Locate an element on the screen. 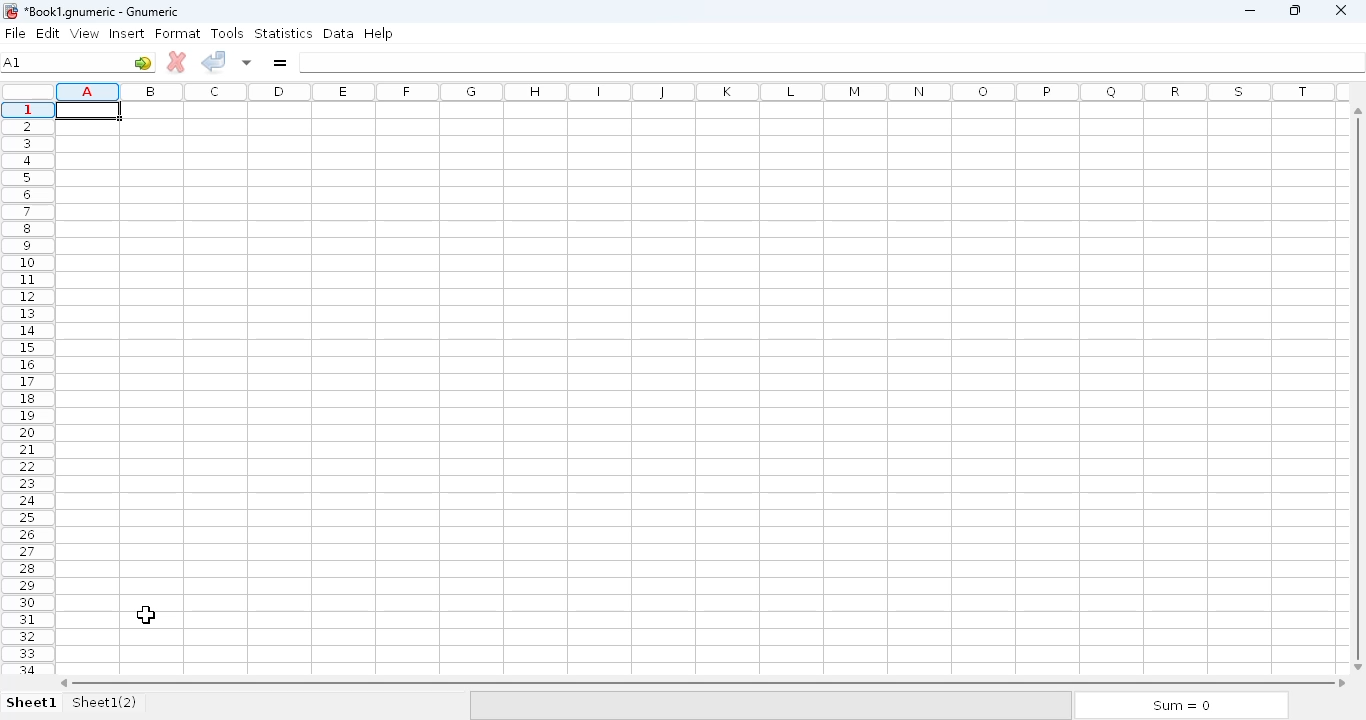  tools is located at coordinates (228, 33).